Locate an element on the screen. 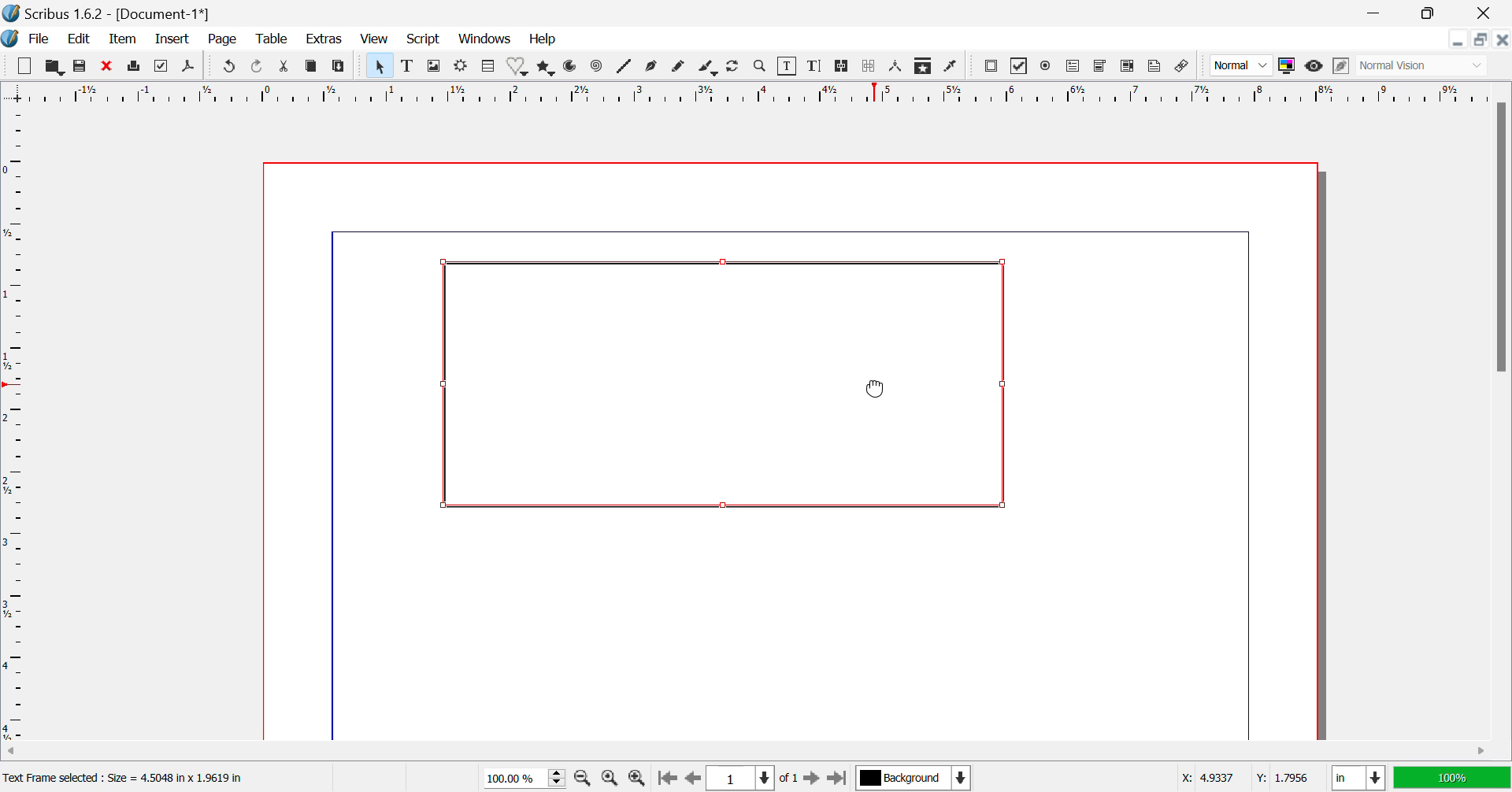 The width and height of the screenshot is (1512, 792). Bezier Curve is located at coordinates (654, 68).